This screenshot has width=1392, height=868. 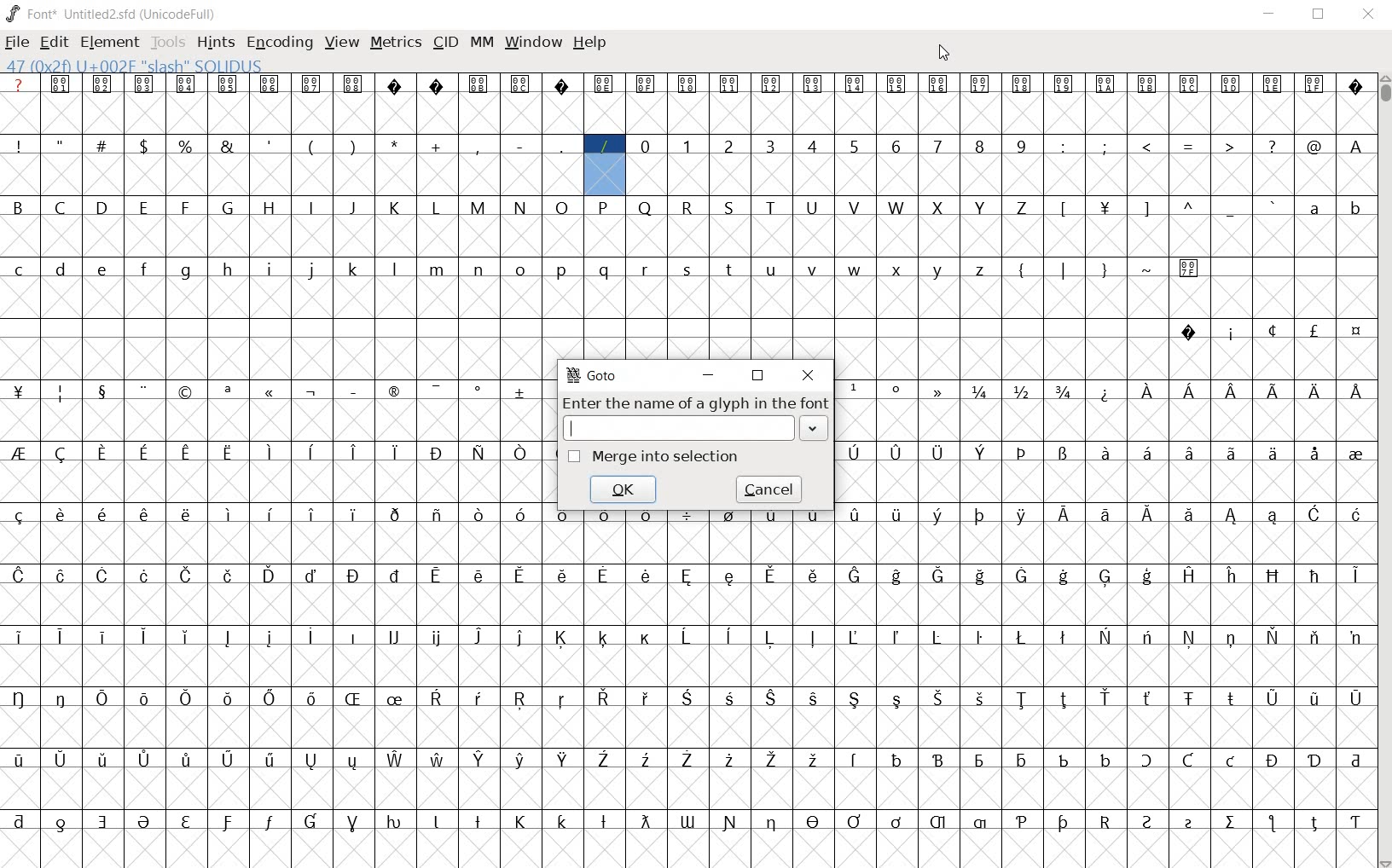 I want to click on glyph, so click(x=1273, y=576).